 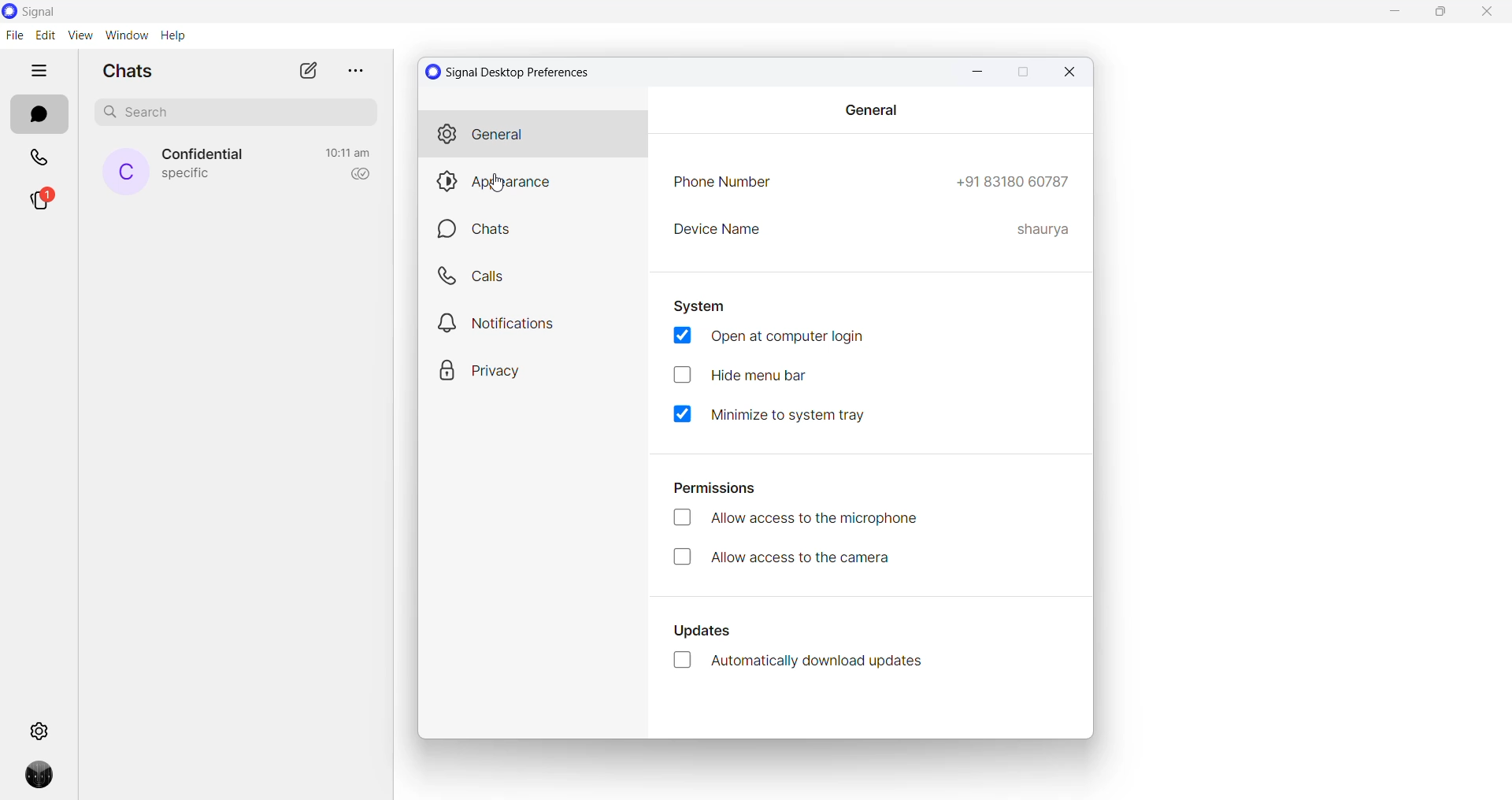 I want to click on timestamp, so click(x=348, y=153).